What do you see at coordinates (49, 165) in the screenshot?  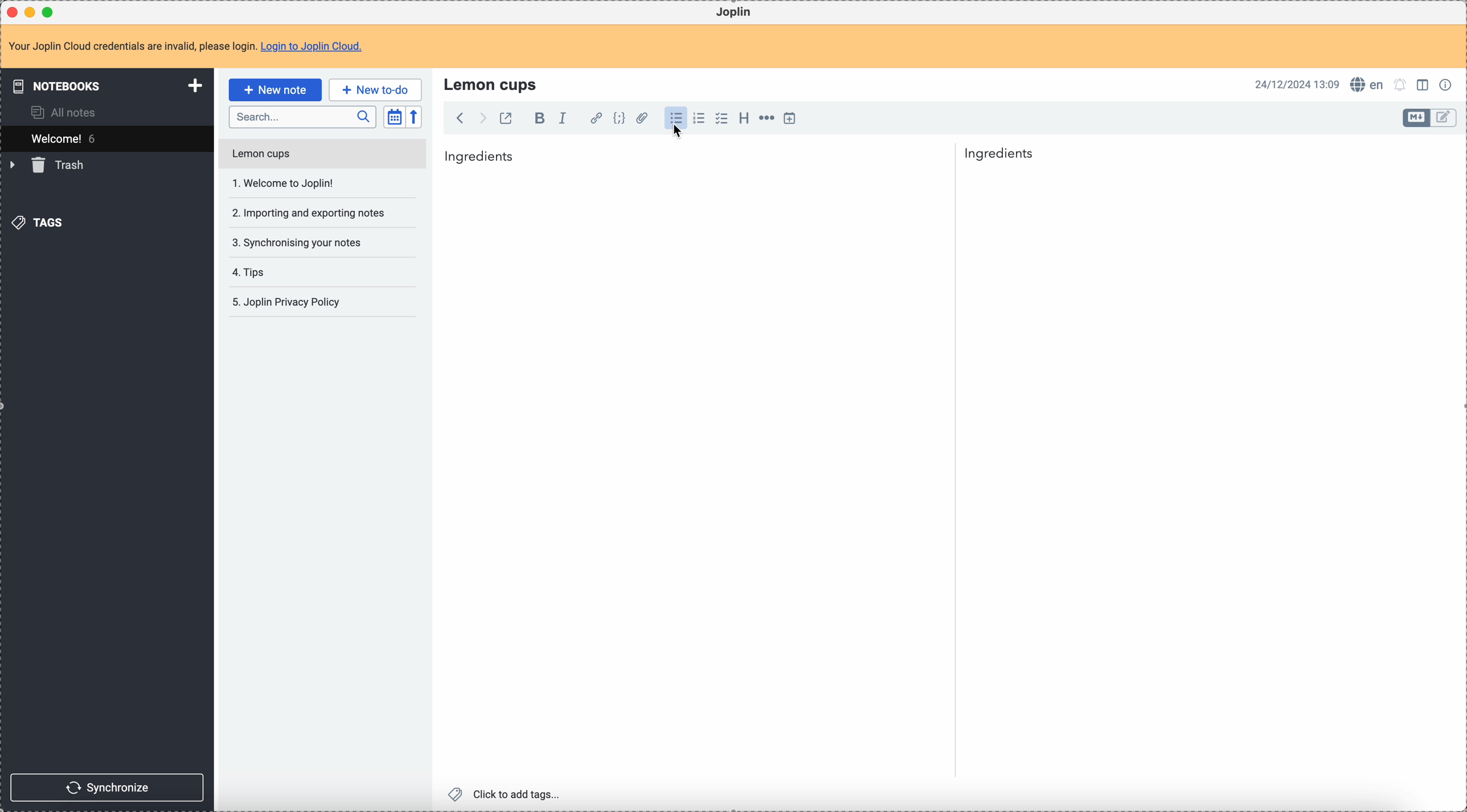 I see `trash` at bounding box center [49, 165].